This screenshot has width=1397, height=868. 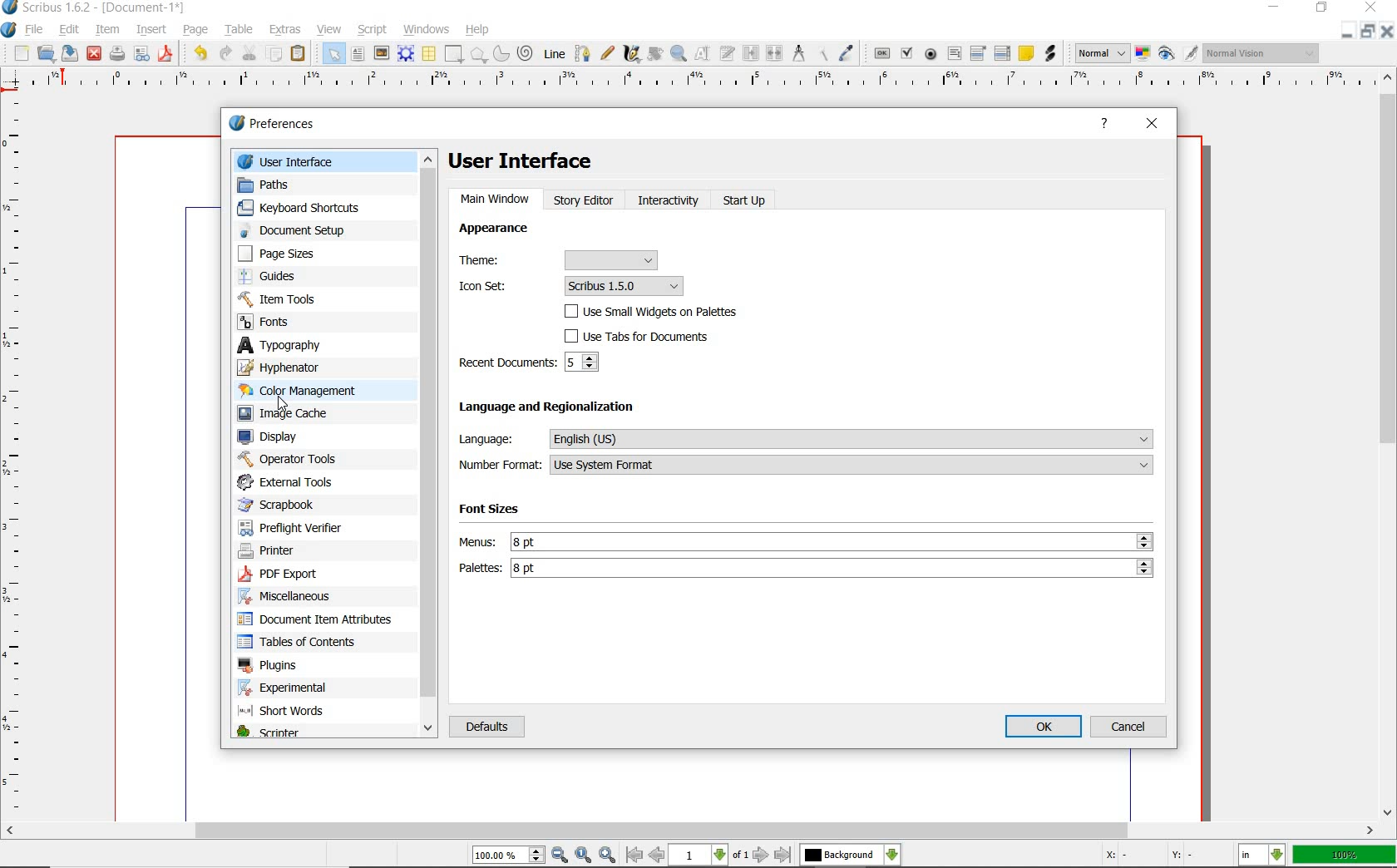 What do you see at coordinates (308, 712) in the screenshot?
I see `short words` at bounding box center [308, 712].